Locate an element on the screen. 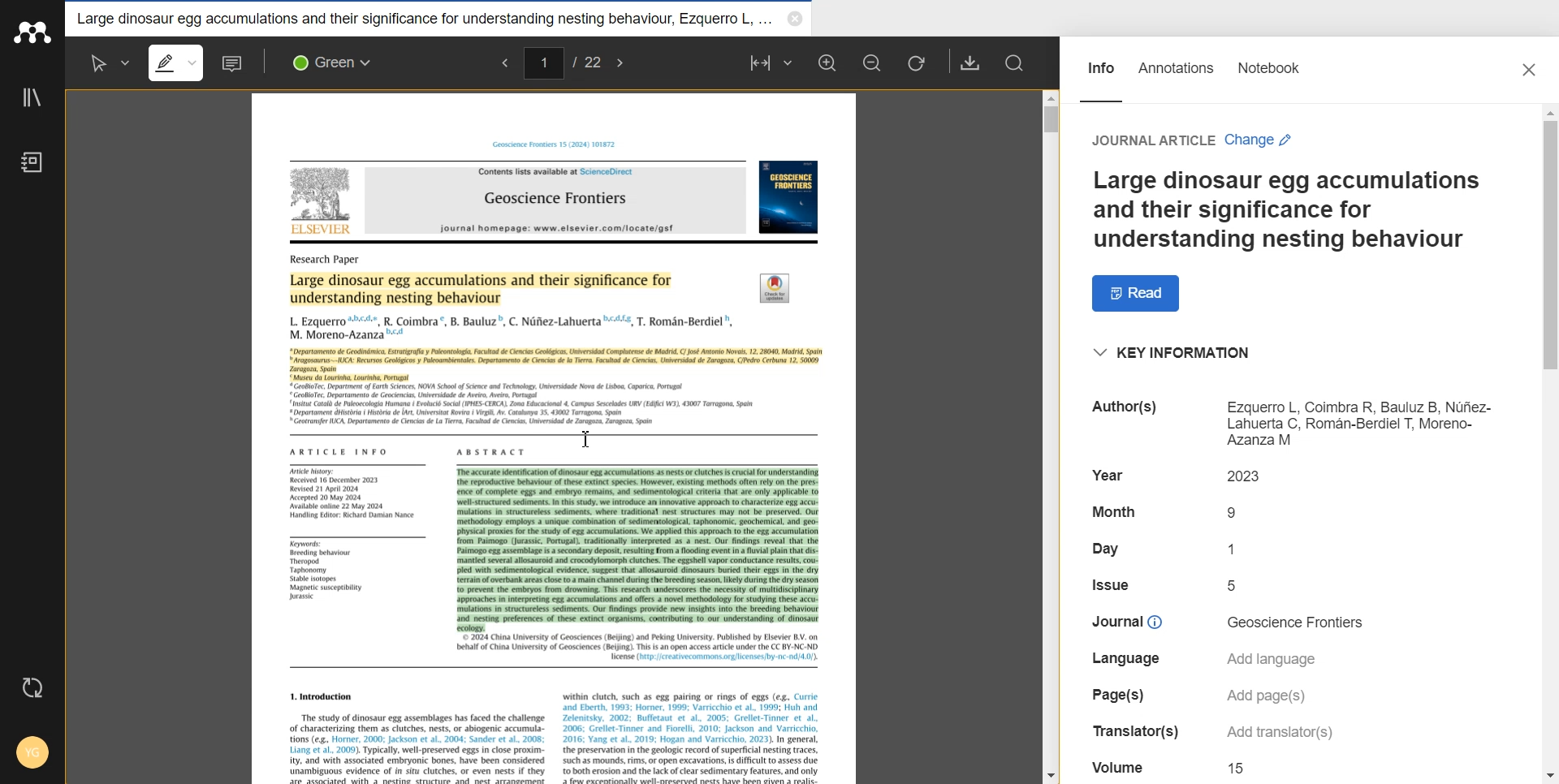 The image size is (1559, 784). text section is located at coordinates (555, 727).